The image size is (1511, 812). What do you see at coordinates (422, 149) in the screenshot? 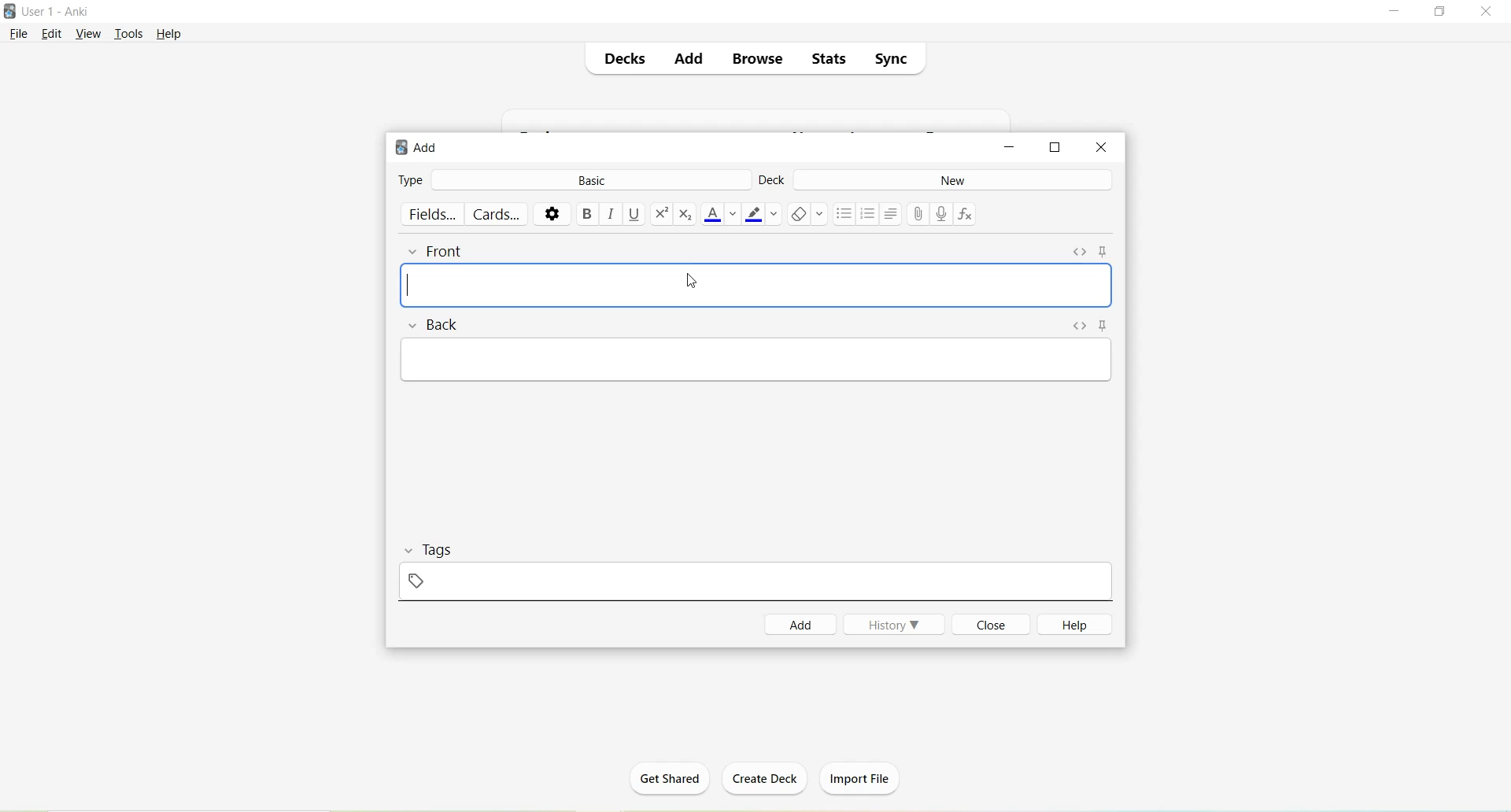
I see `Add` at bounding box center [422, 149].